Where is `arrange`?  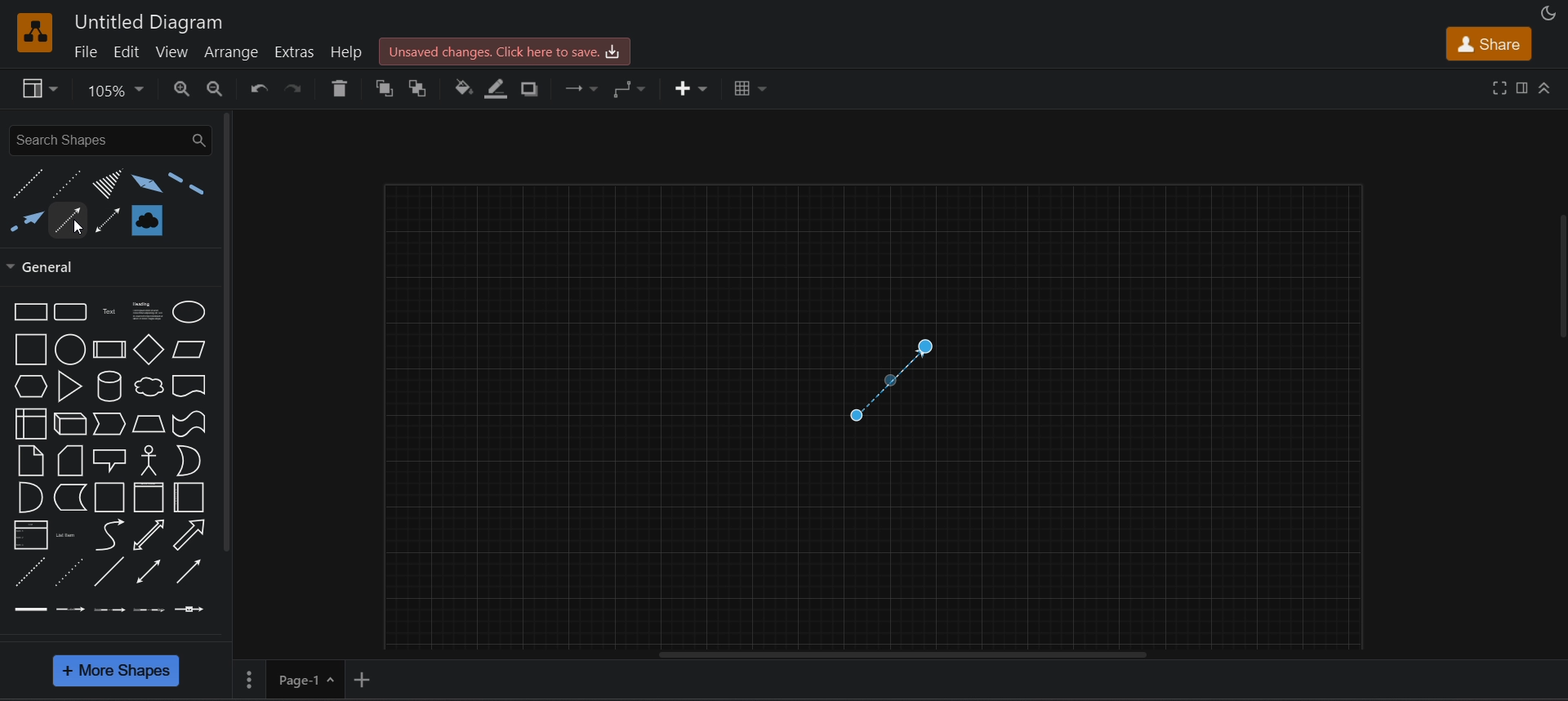 arrange is located at coordinates (235, 51).